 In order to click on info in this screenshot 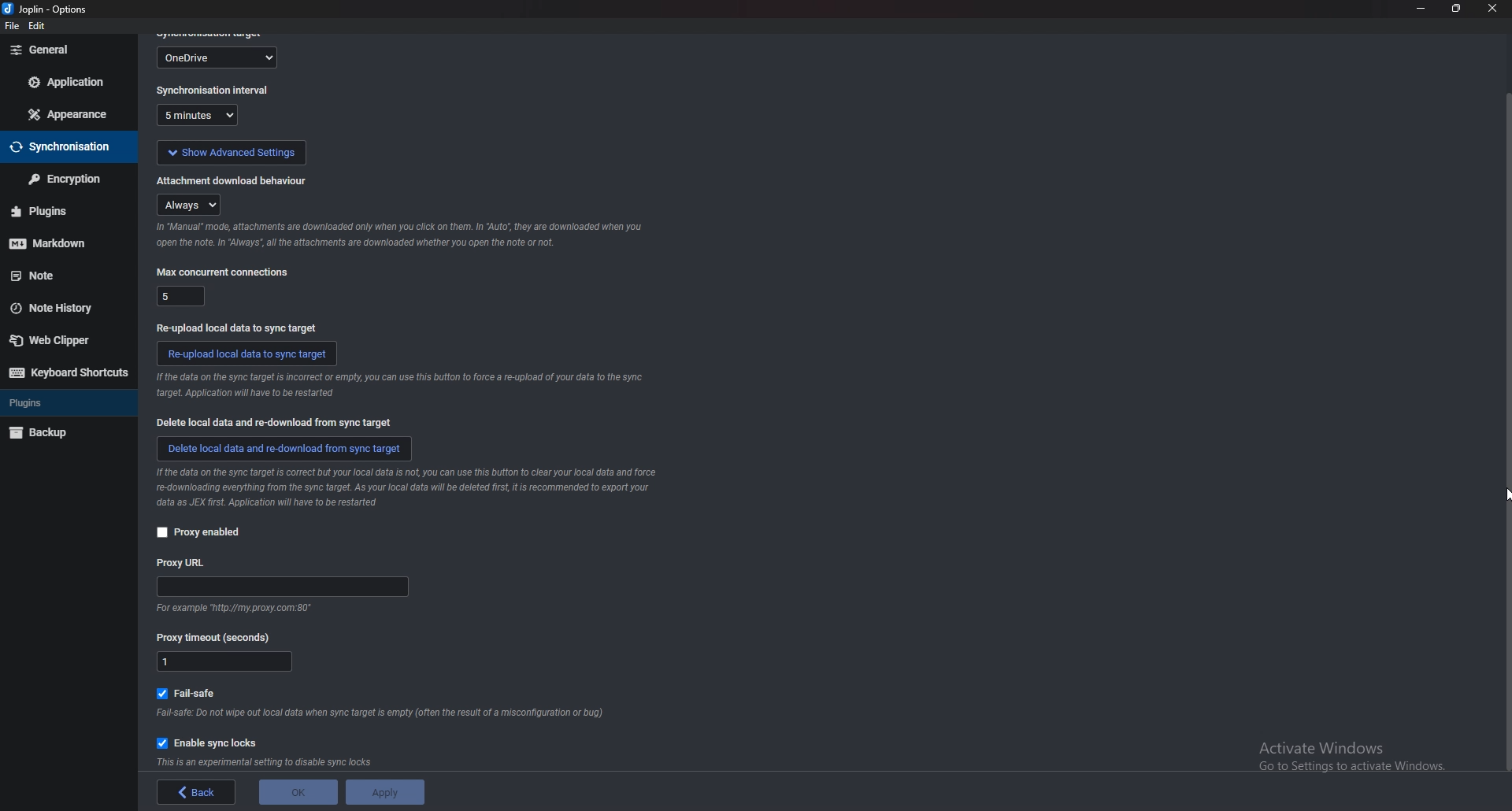, I will do `click(398, 235)`.